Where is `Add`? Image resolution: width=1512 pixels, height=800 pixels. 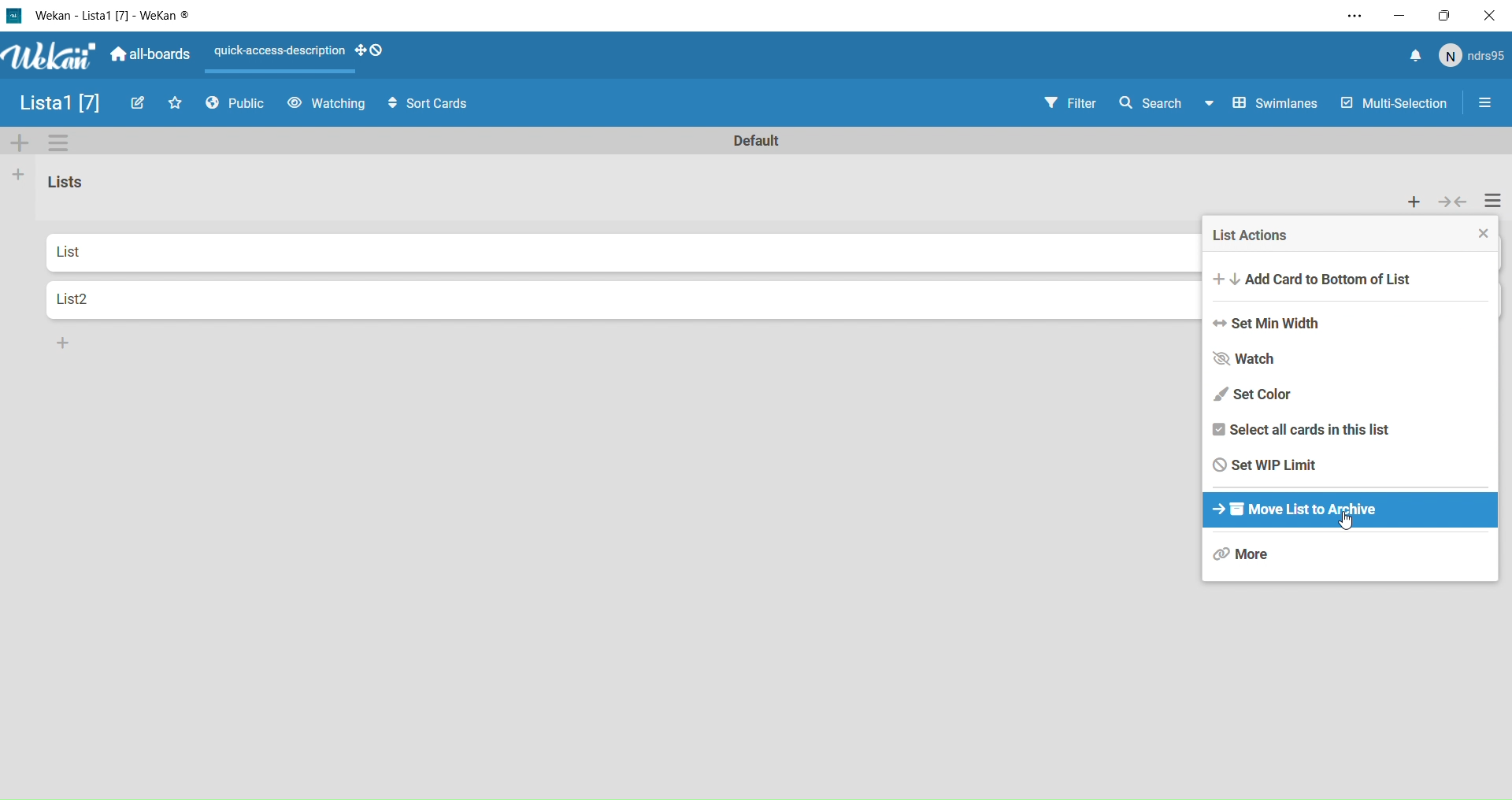
Add is located at coordinates (16, 146).